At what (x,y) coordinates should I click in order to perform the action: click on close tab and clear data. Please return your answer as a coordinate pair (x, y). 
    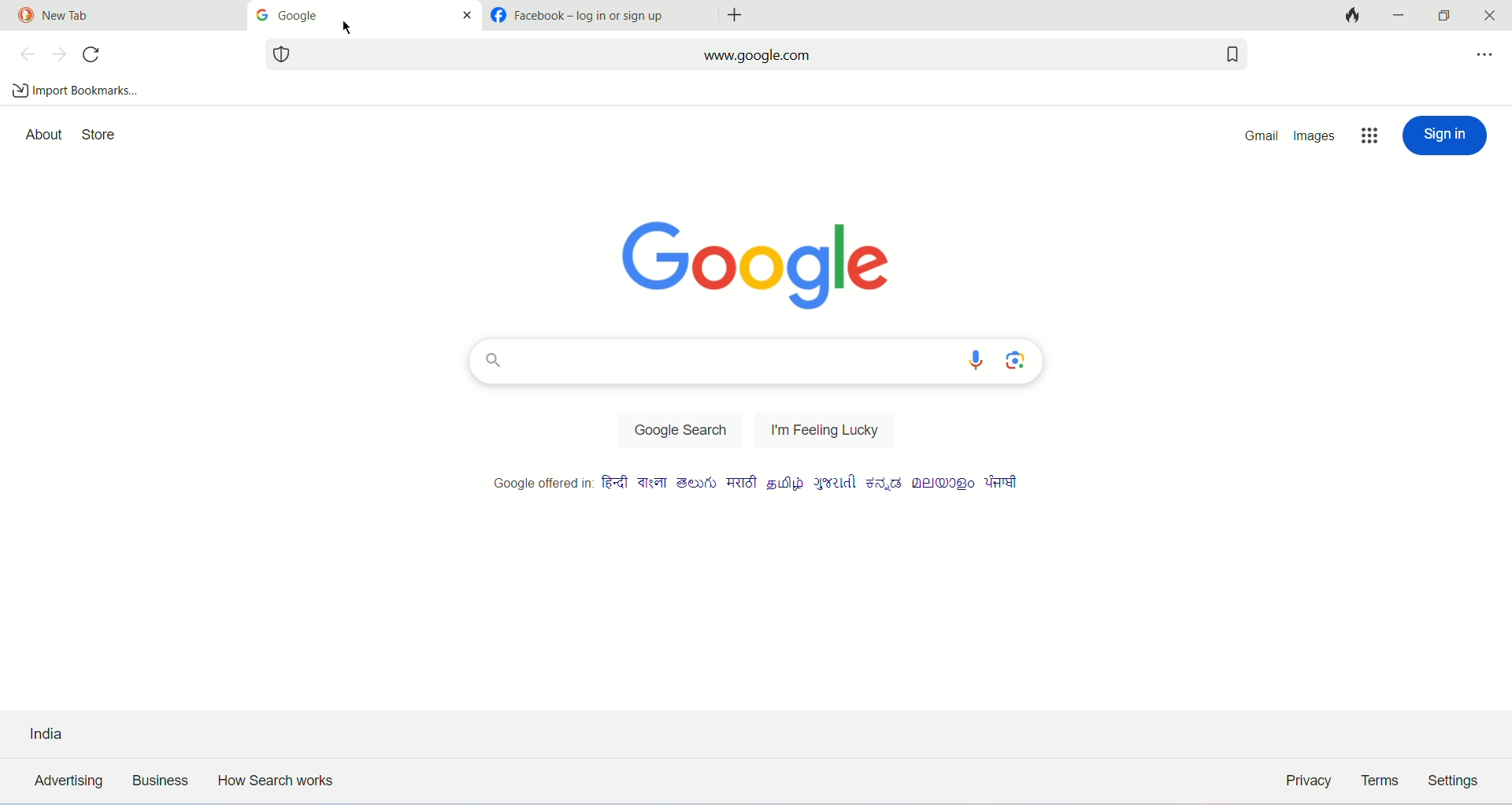
    Looking at the image, I should click on (1354, 15).